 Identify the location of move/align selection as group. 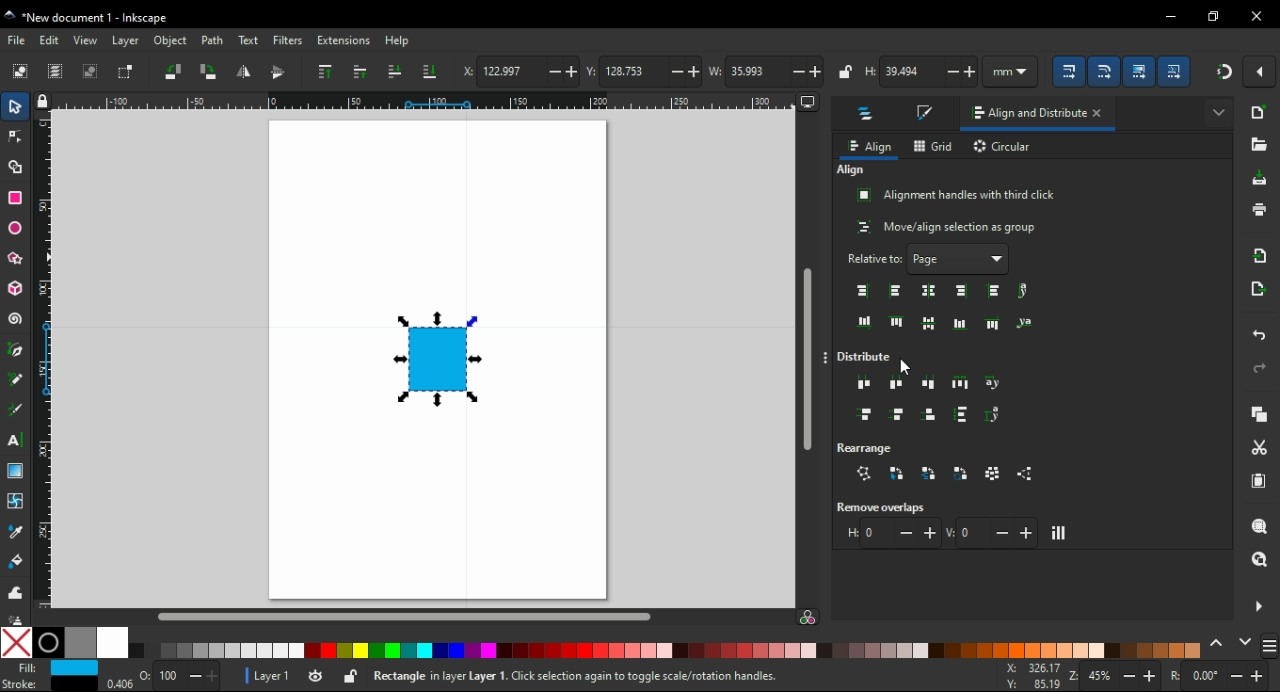
(948, 227).